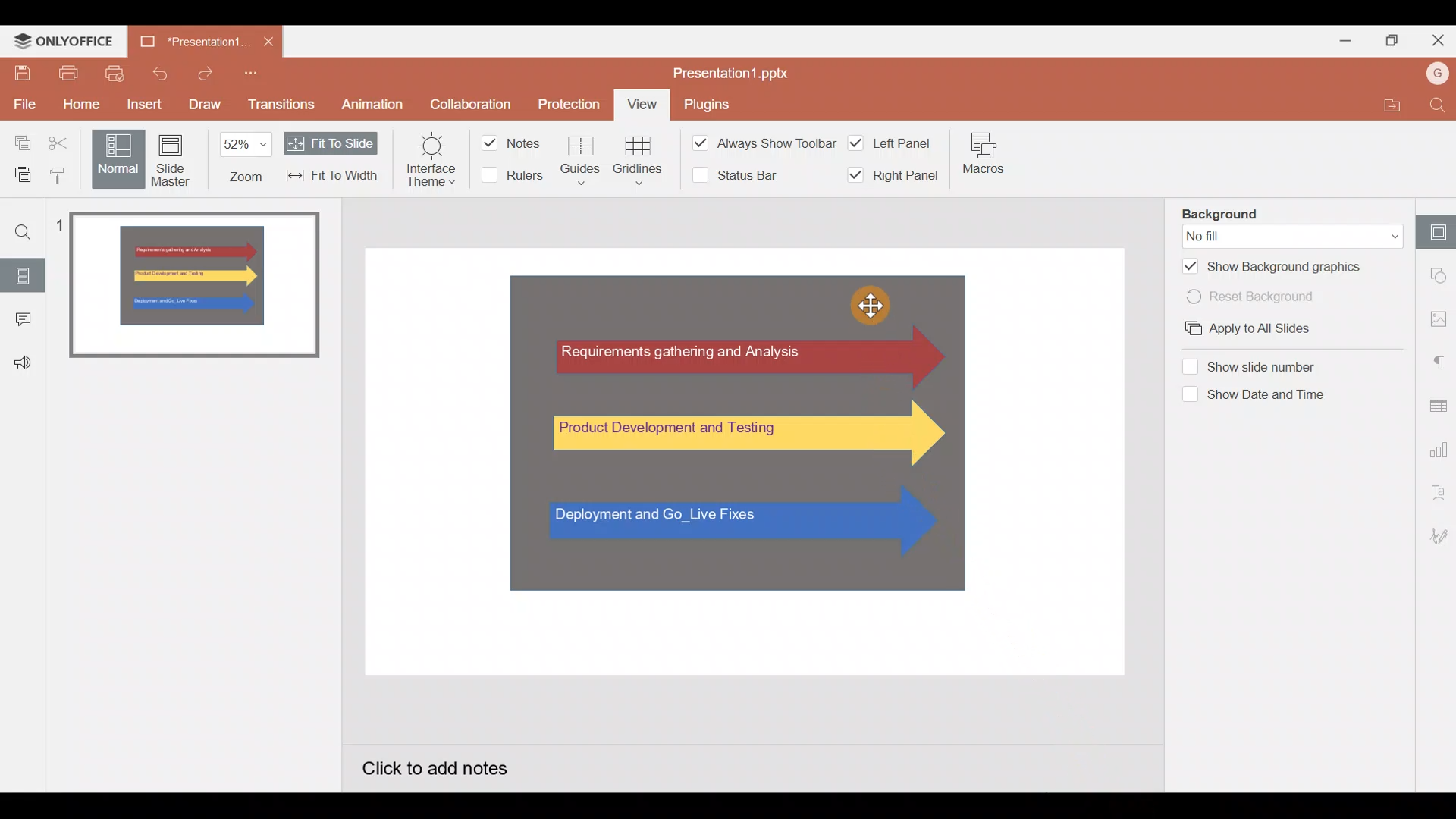 This screenshot has width=1456, height=819. Describe the element at coordinates (60, 174) in the screenshot. I see `Copy style` at that location.